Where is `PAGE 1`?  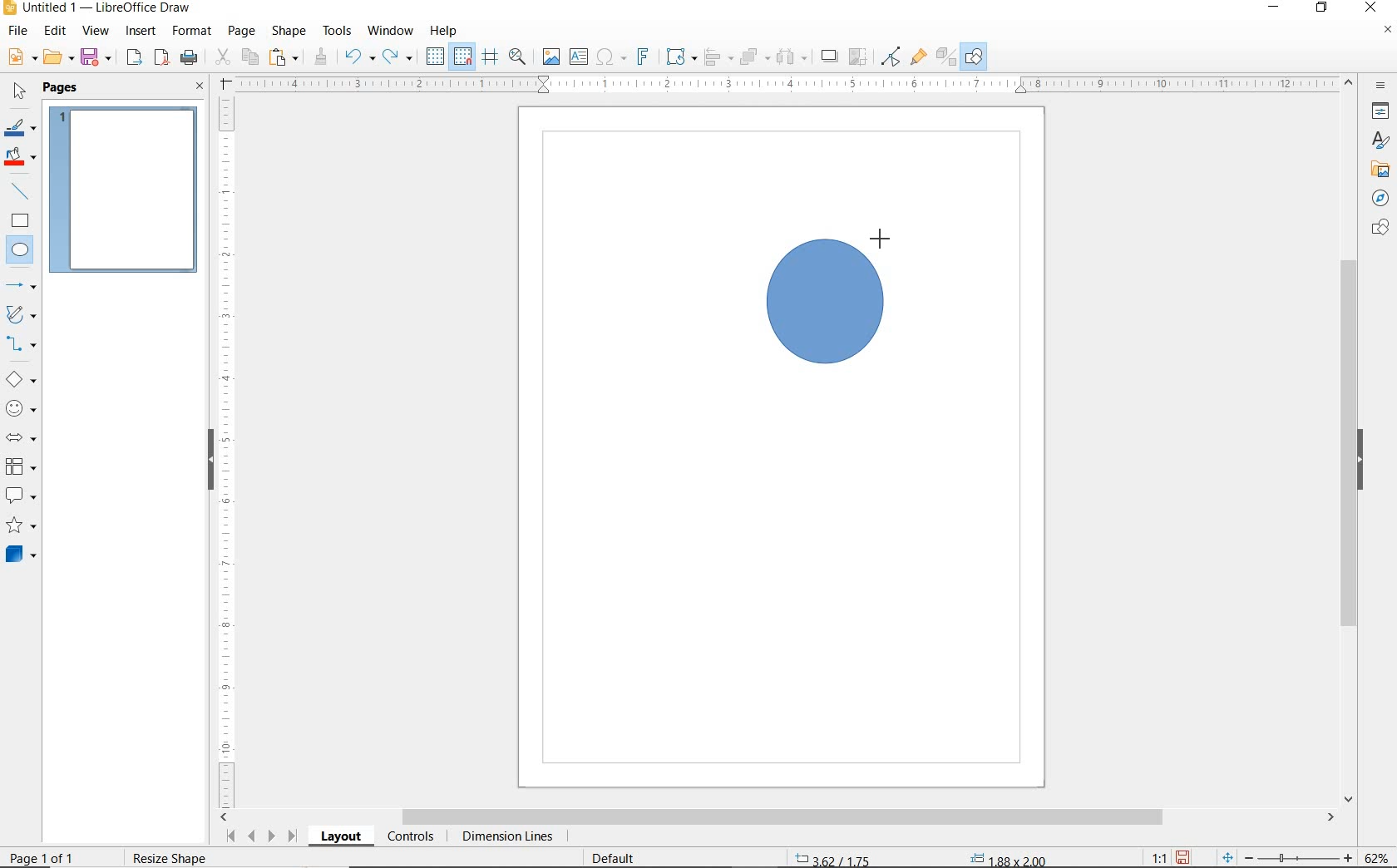
PAGE 1 is located at coordinates (124, 195).